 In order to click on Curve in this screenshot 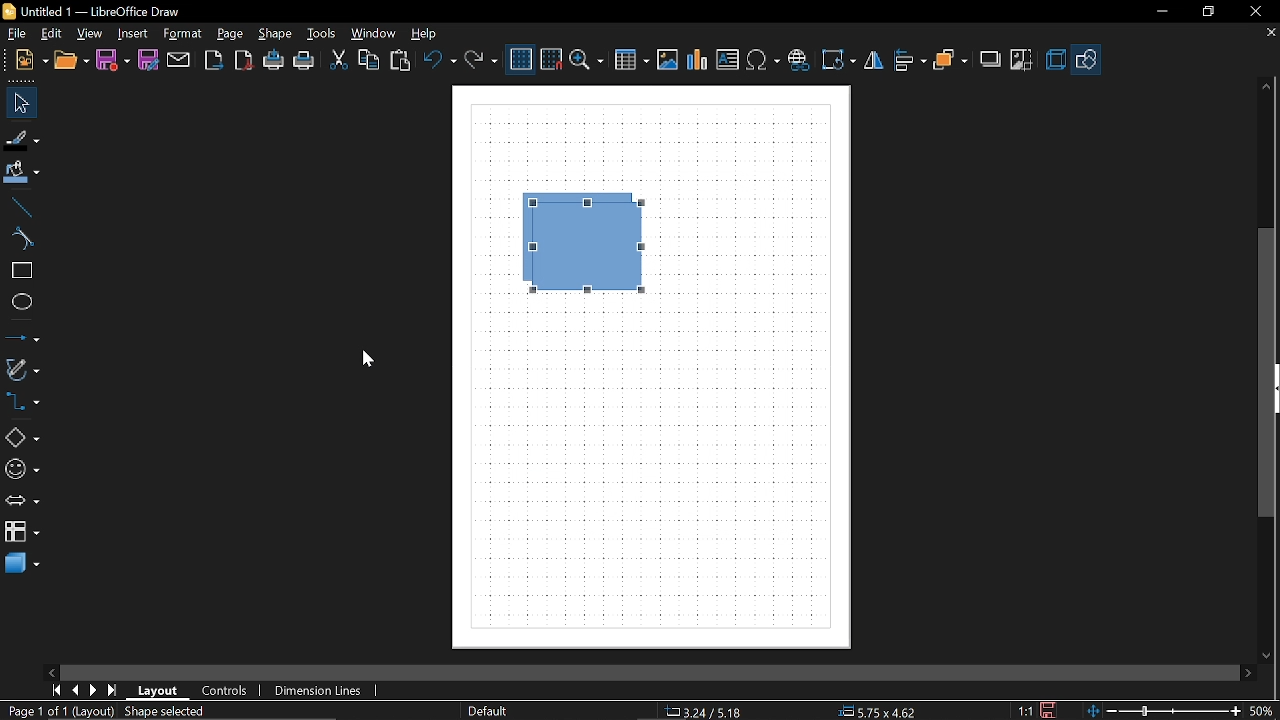, I will do `click(19, 240)`.